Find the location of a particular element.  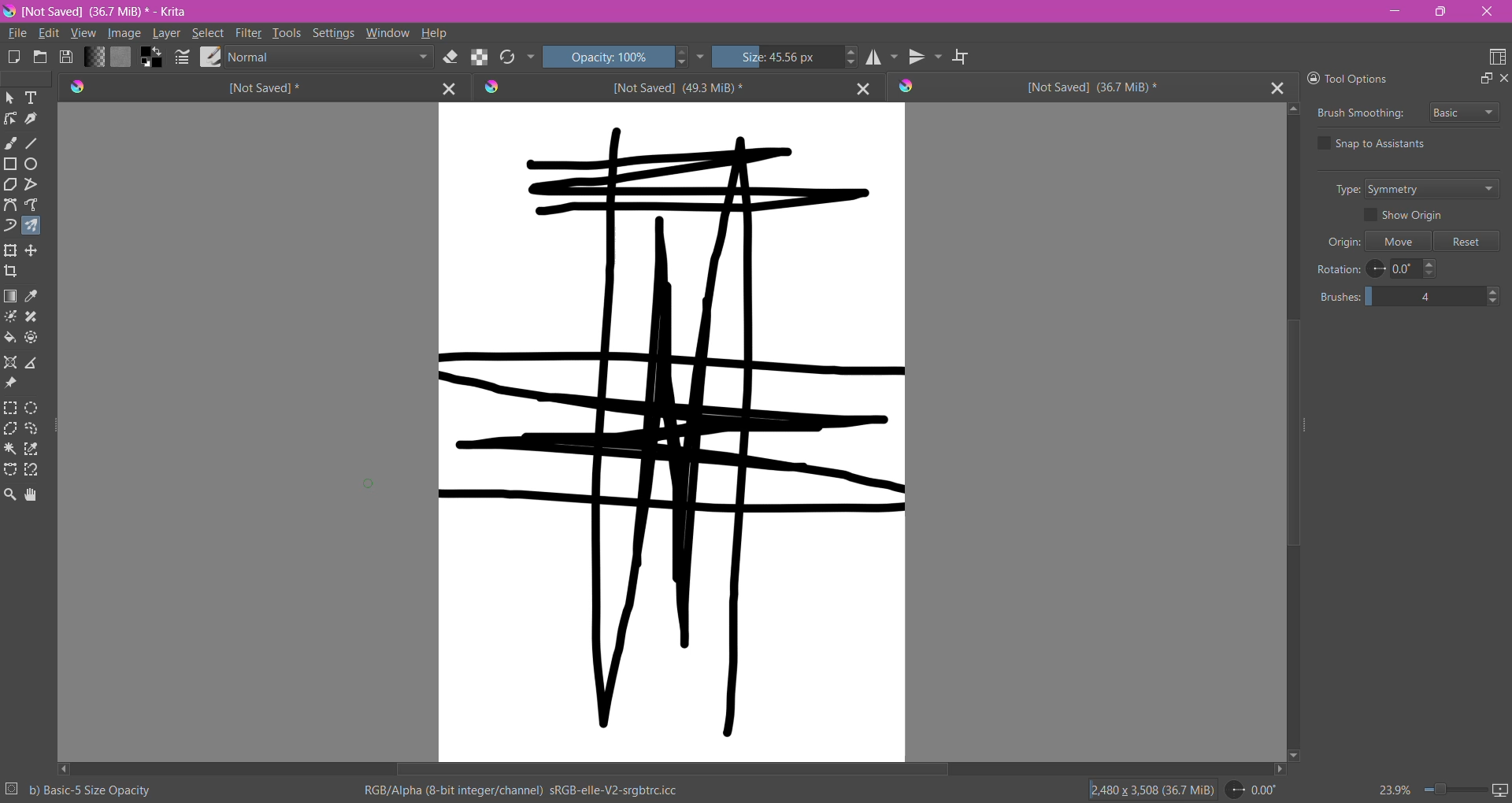

File is located at coordinates (16, 34).